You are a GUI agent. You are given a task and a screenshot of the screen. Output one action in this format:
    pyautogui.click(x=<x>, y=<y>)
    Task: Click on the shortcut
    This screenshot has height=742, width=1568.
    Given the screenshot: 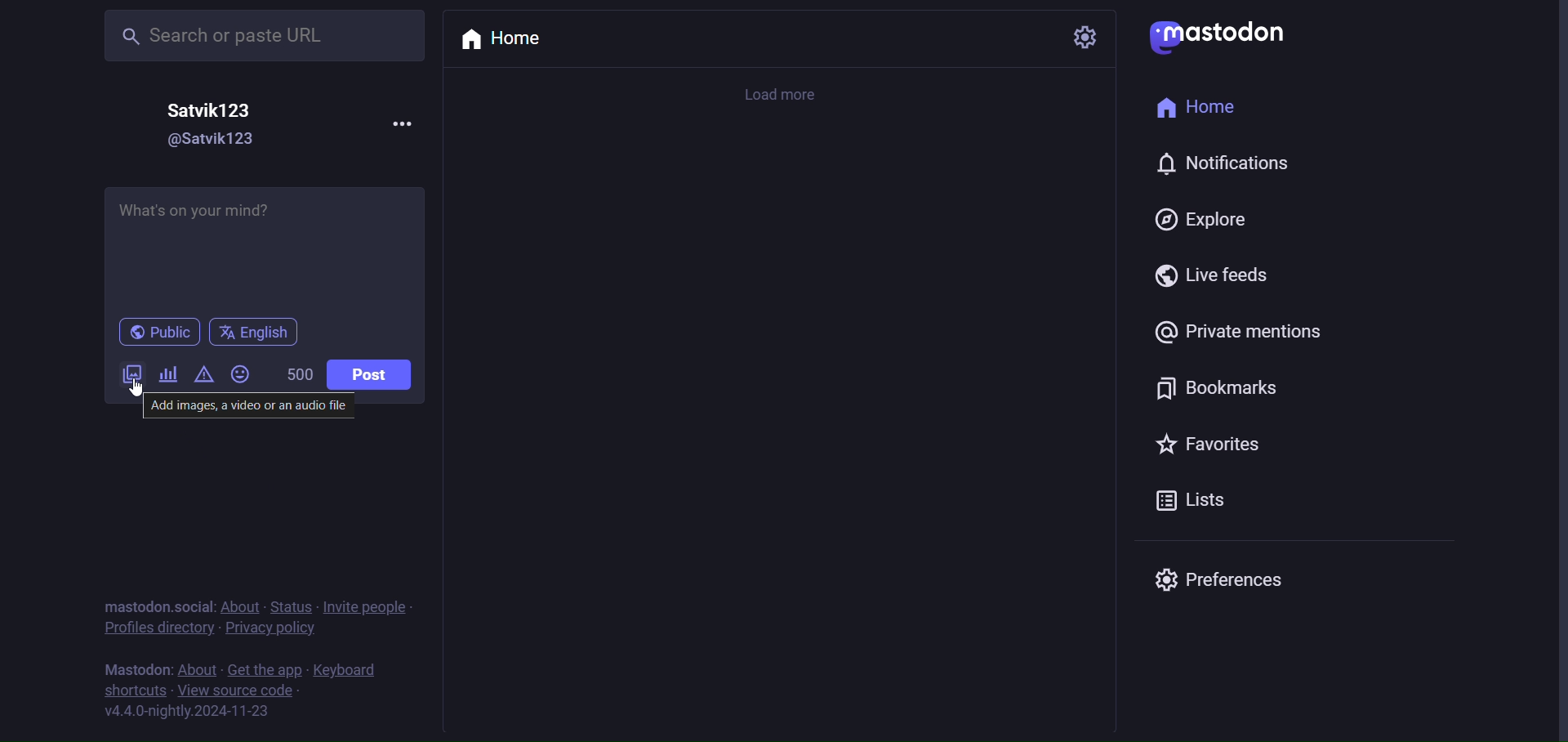 What is the action you would take?
    pyautogui.click(x=134, y=691)
    